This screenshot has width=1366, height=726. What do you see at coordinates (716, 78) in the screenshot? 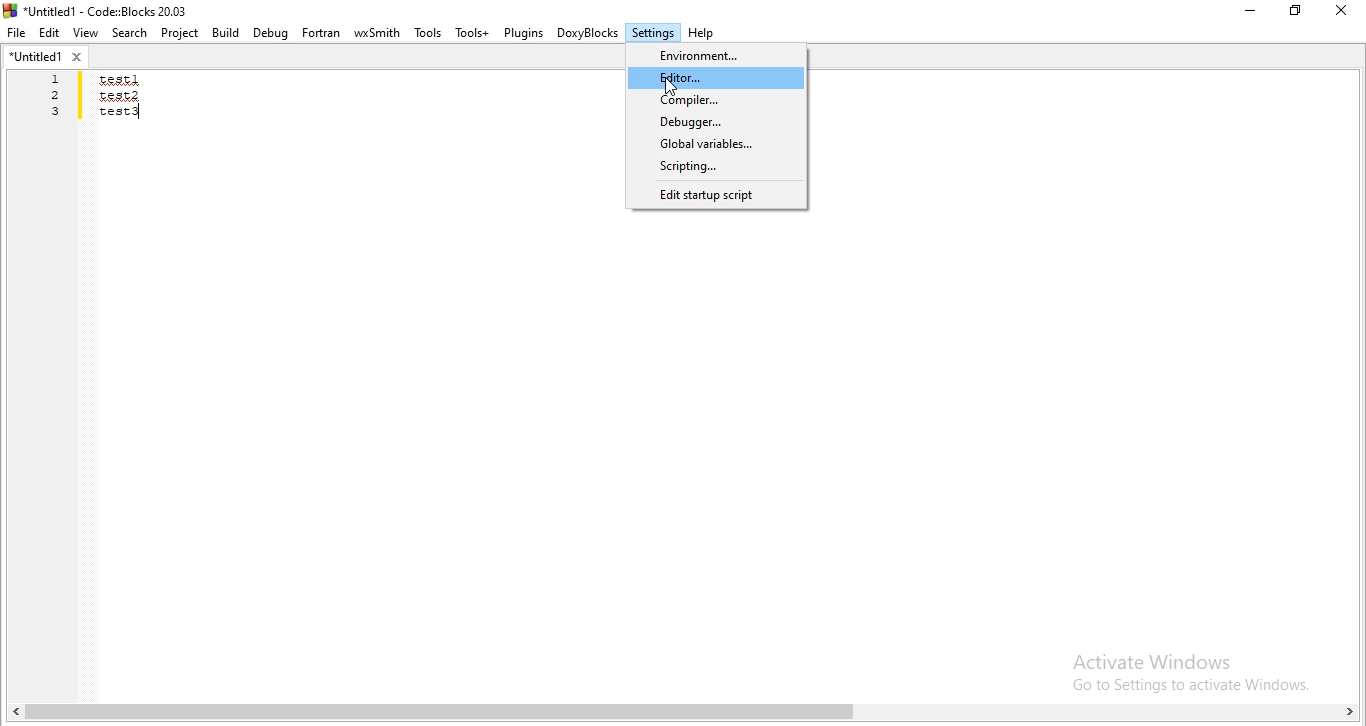
I see `Editor` at bounding box center [716, 78].